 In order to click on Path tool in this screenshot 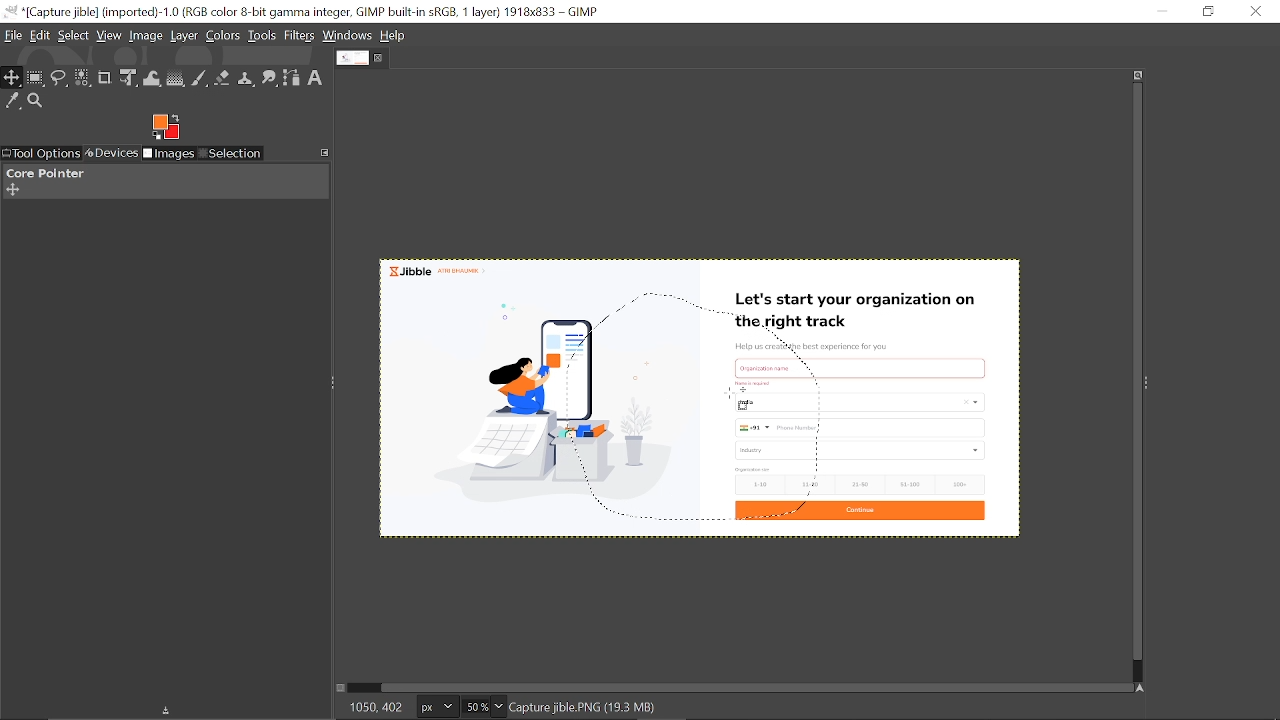, I will do `click(292, 79)`.